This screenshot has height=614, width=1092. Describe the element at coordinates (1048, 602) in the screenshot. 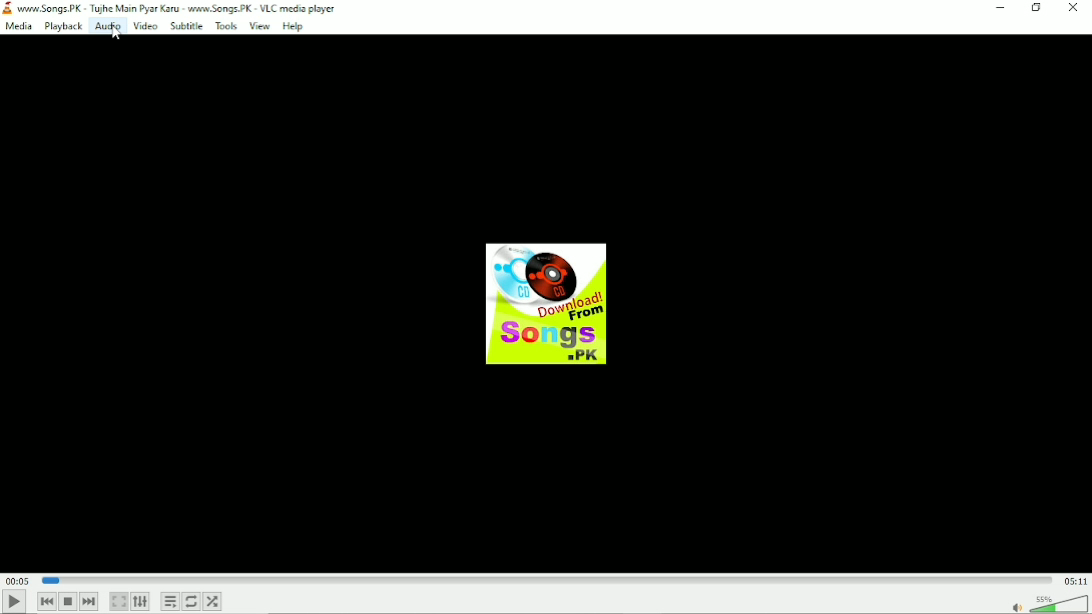

I see `Volume` at that location.